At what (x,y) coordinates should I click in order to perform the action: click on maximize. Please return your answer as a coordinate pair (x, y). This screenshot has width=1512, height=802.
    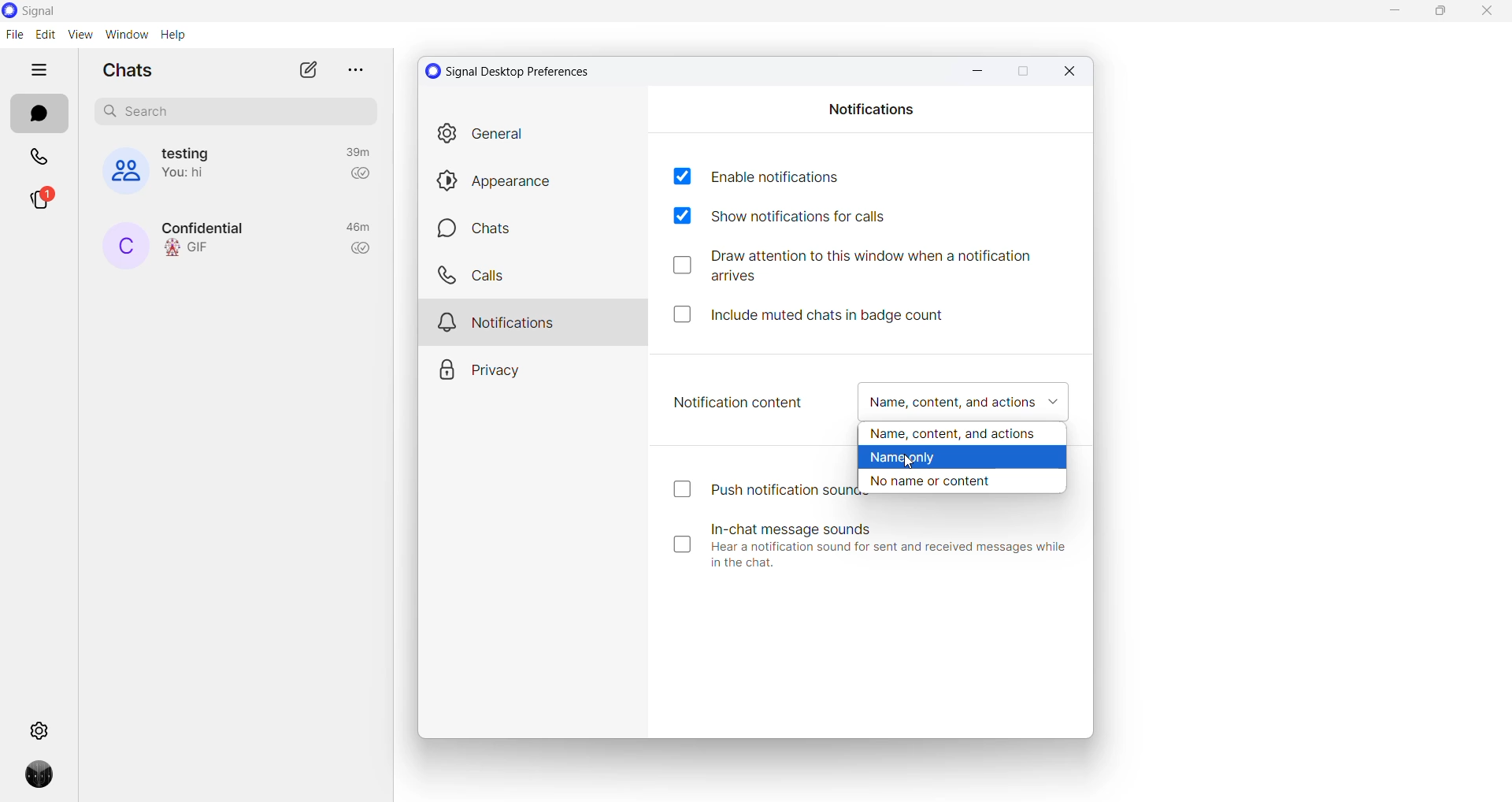
    Looking at the image, I should click on (1440, 14).